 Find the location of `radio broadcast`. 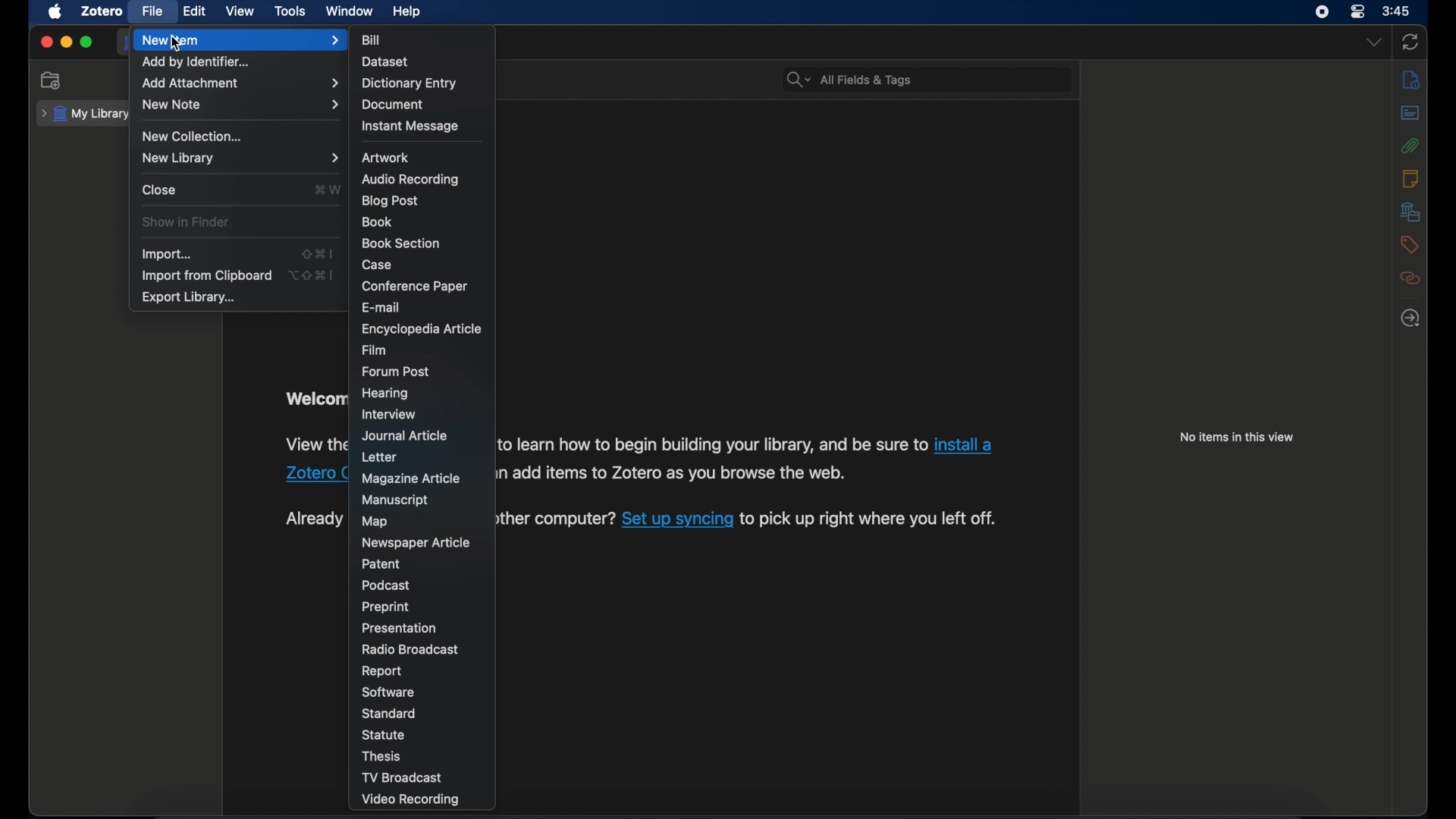

radio broadcast is located at coordinates (413, 650).